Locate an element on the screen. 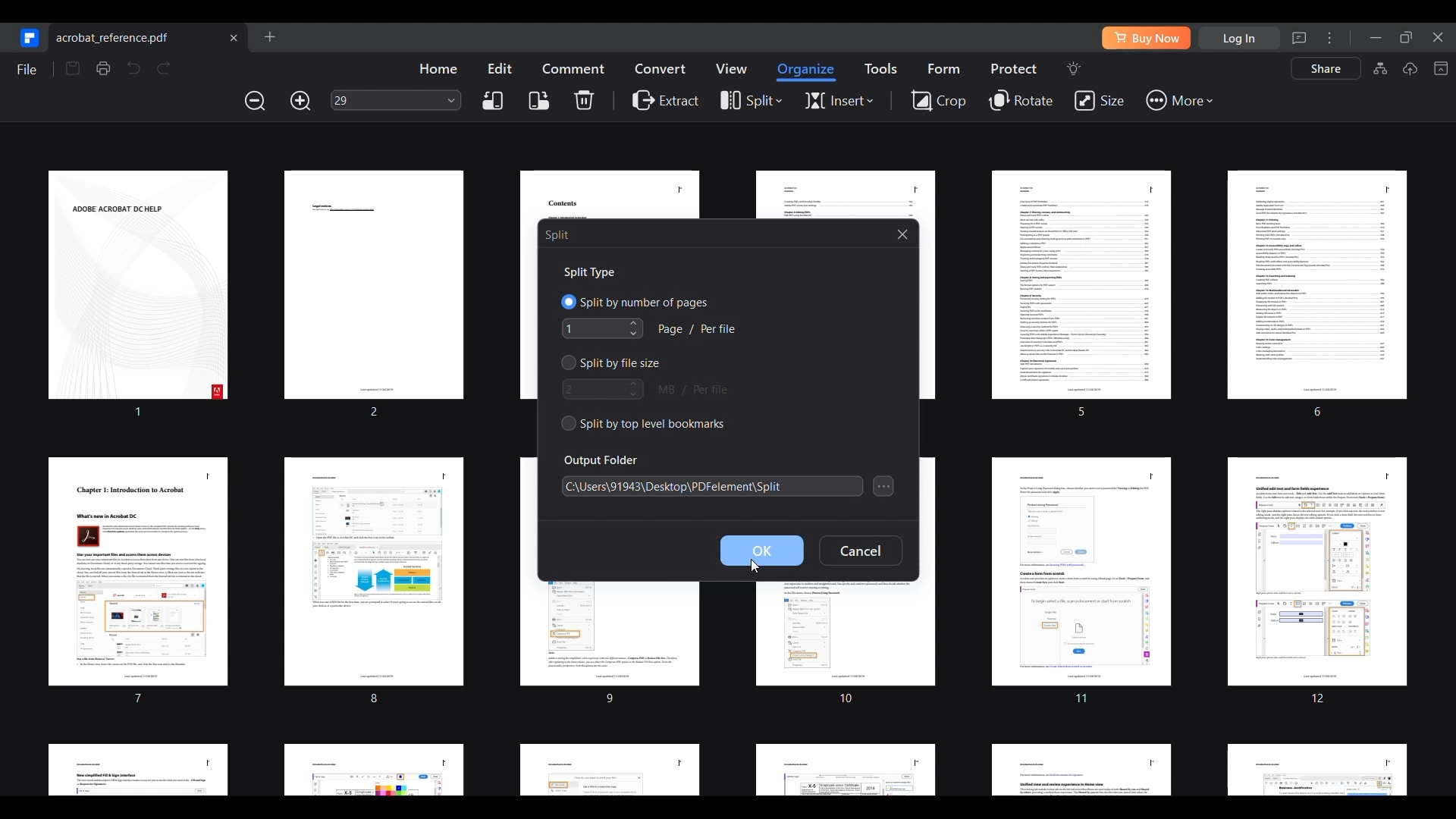  Collapse toolbar is located at coordinates (1440, 68).